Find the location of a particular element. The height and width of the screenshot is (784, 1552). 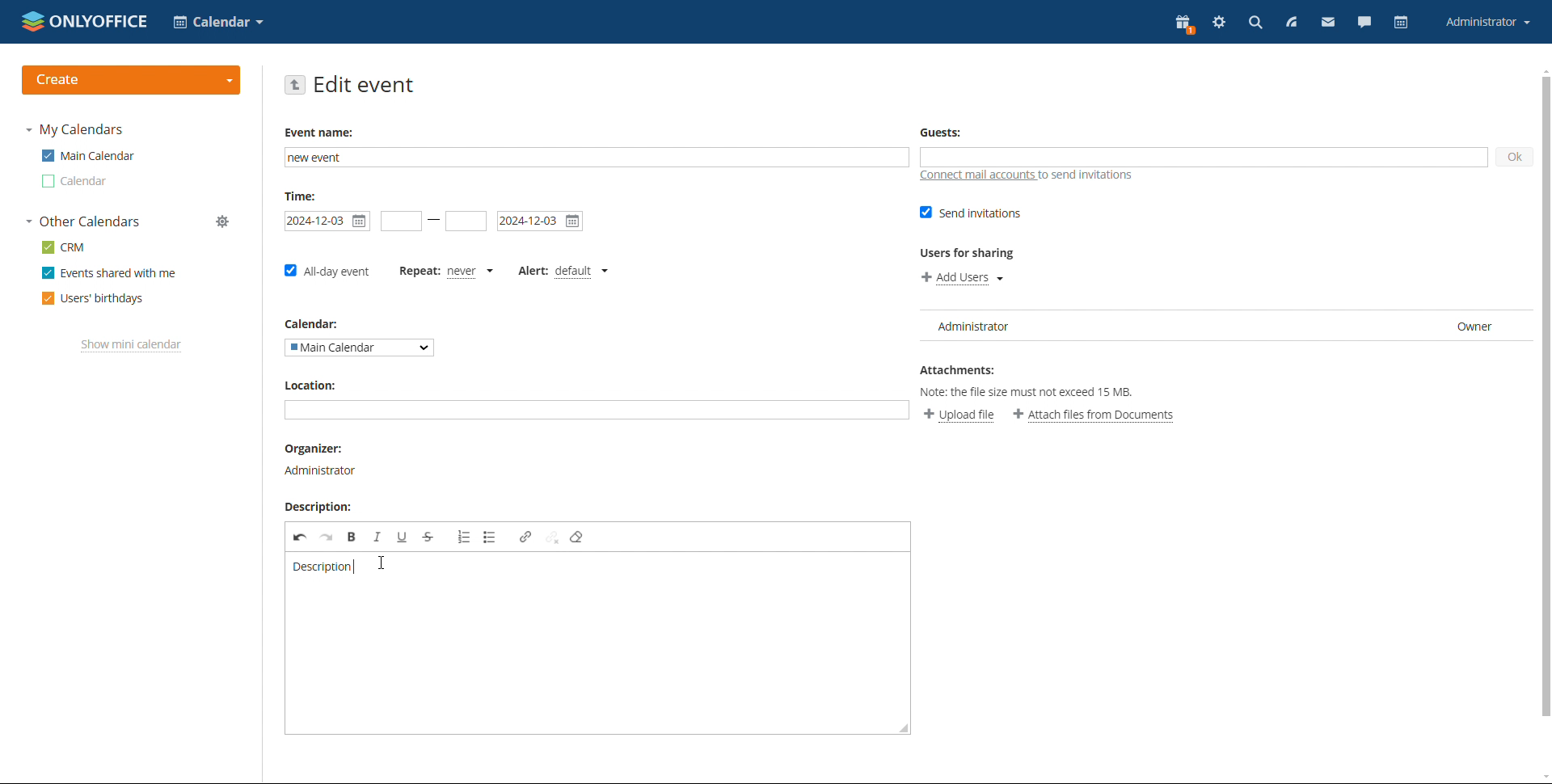

underline is located at coordinates (402, 536).